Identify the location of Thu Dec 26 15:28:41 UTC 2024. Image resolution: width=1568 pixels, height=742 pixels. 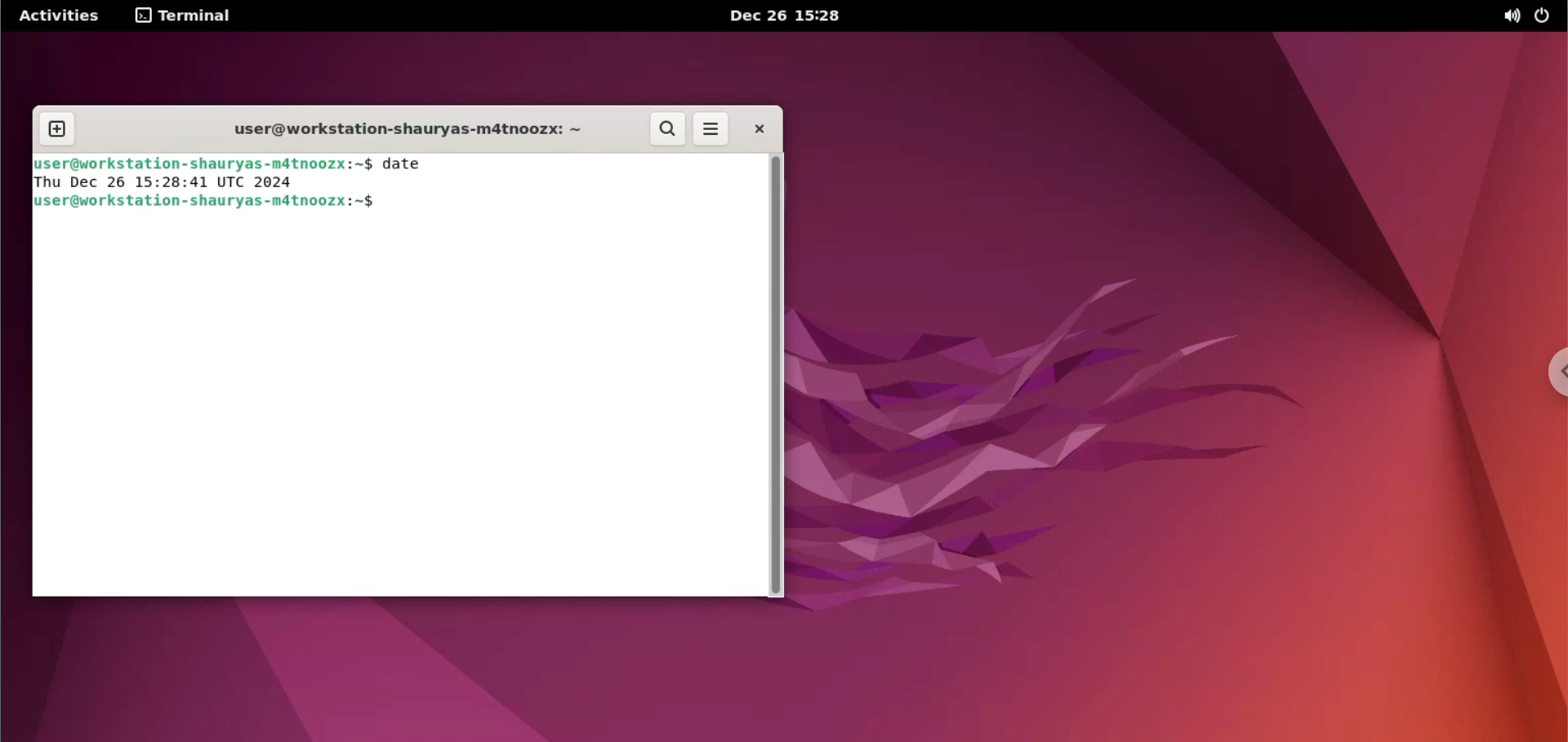
(167, 182).